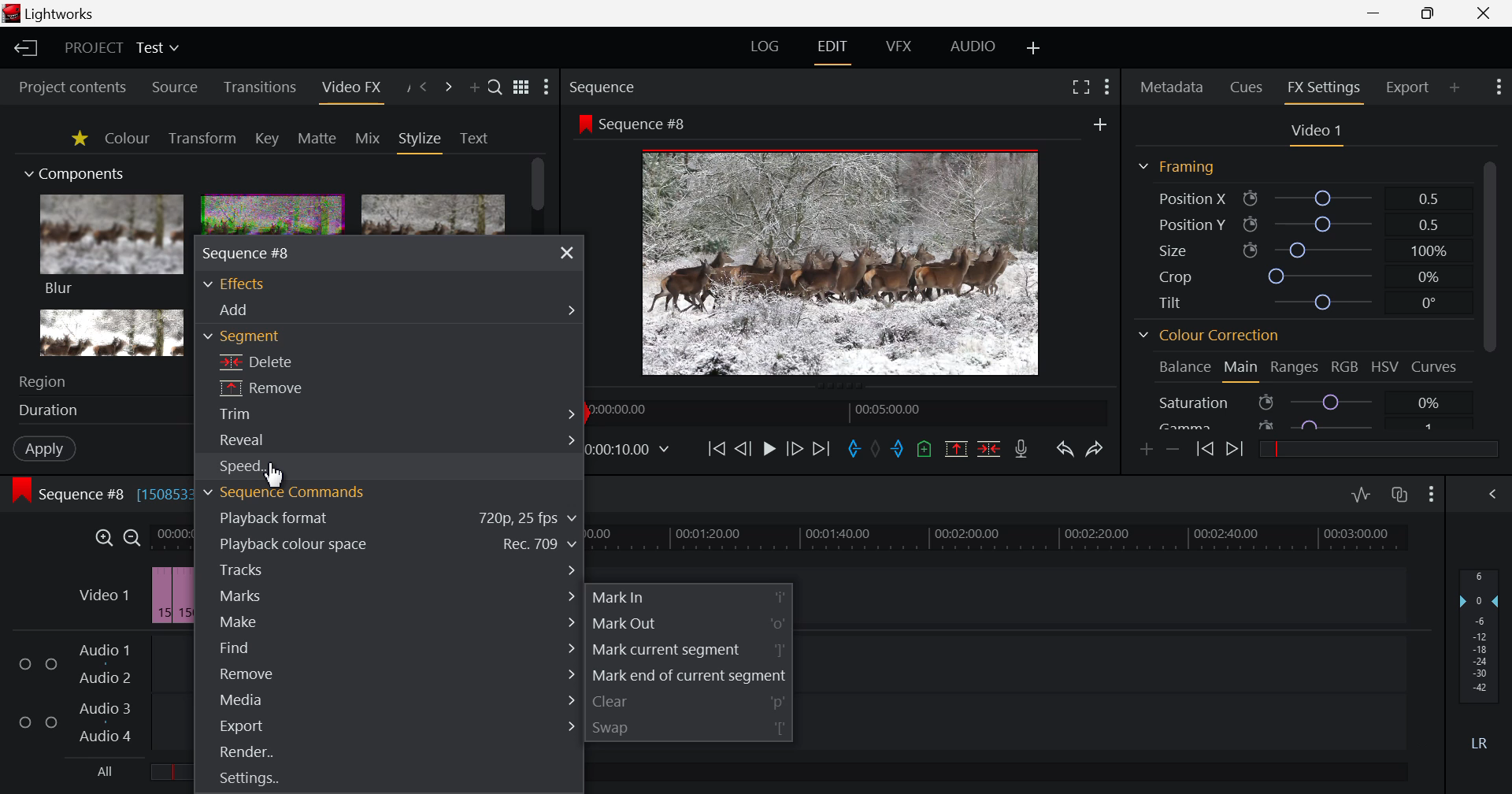 Image resolution: width=1512 pixels, height=794 pixels. I want to click on Mark In, so click(691, 596).